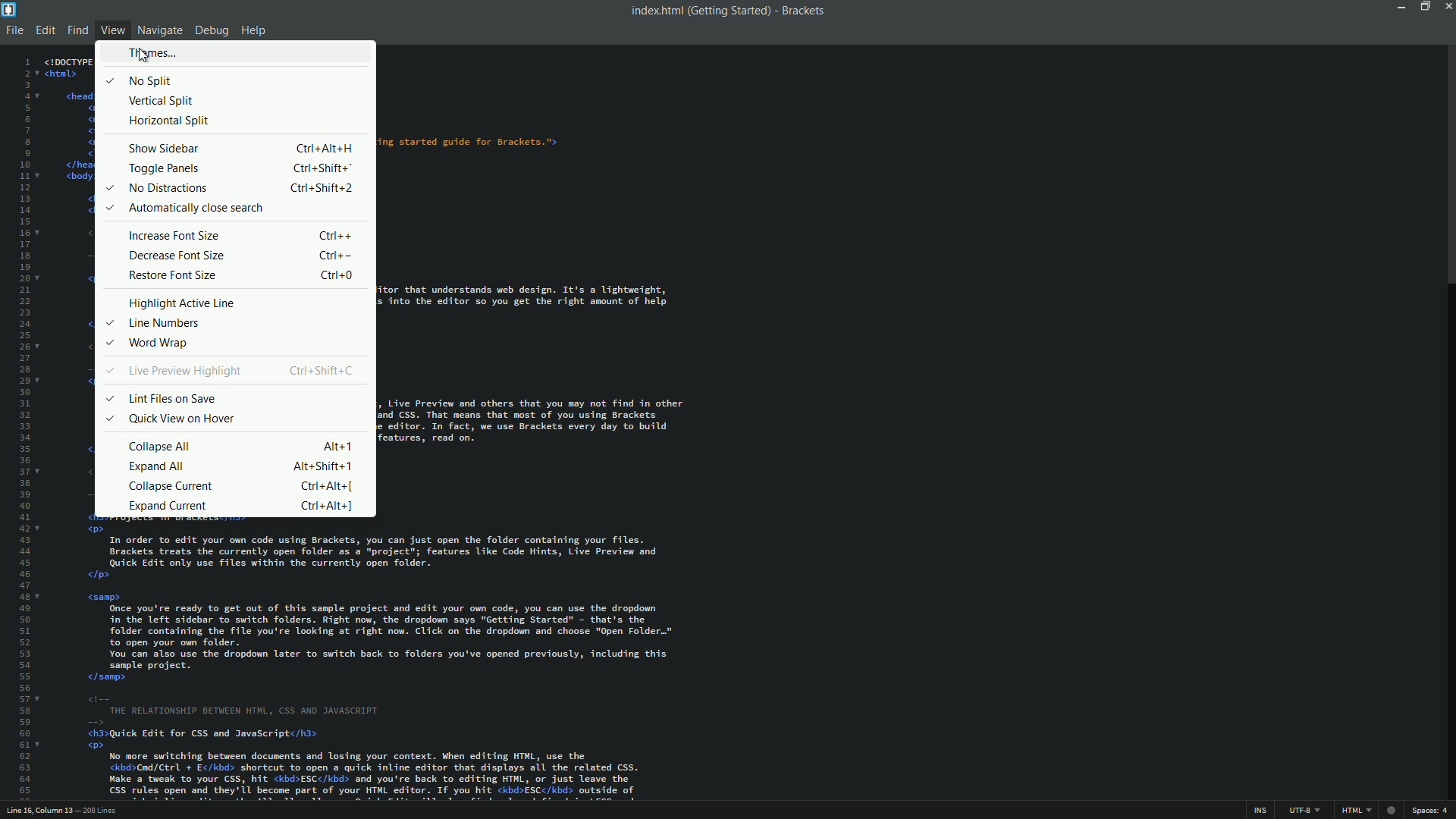  Describe the element at coordinates (163, 102) in the screenshot. I see `vertical split` at that location.